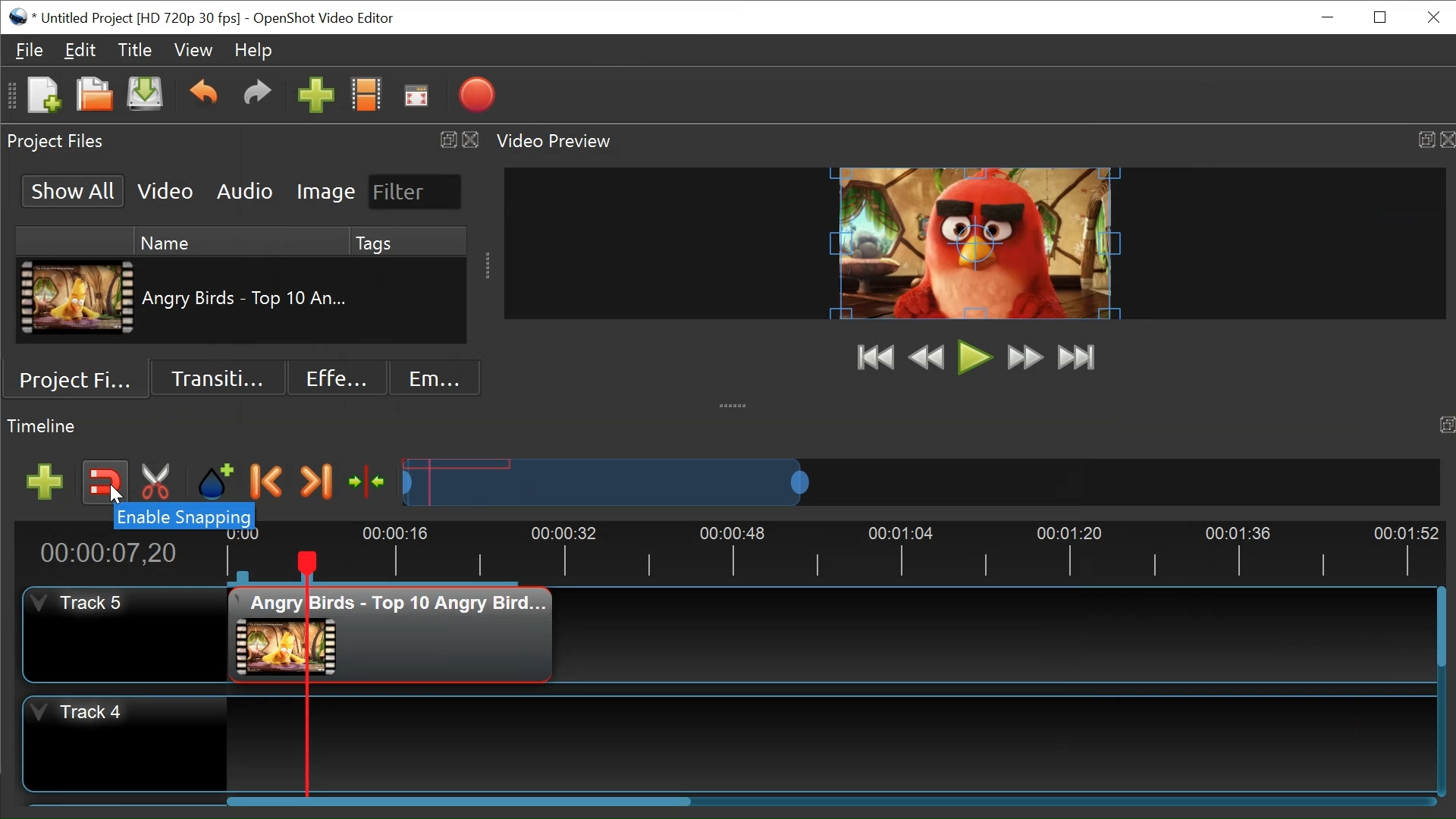 Image resolution: width=1456 pixels, height=819 pixels. Describe the element at coordinates (76, 300) in the screenshot. I see `Clip` at that location.